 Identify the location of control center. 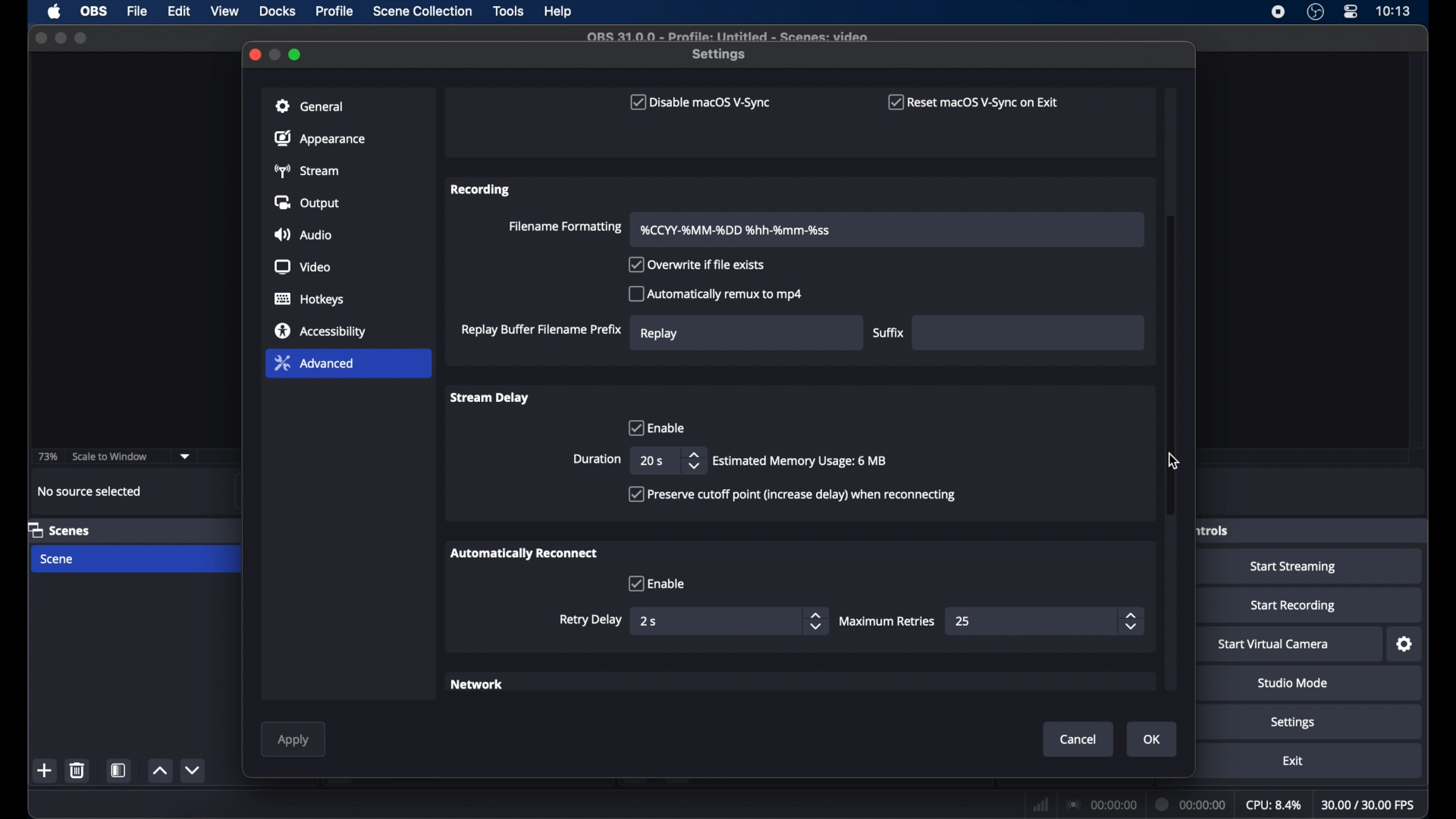
(1350, 12).